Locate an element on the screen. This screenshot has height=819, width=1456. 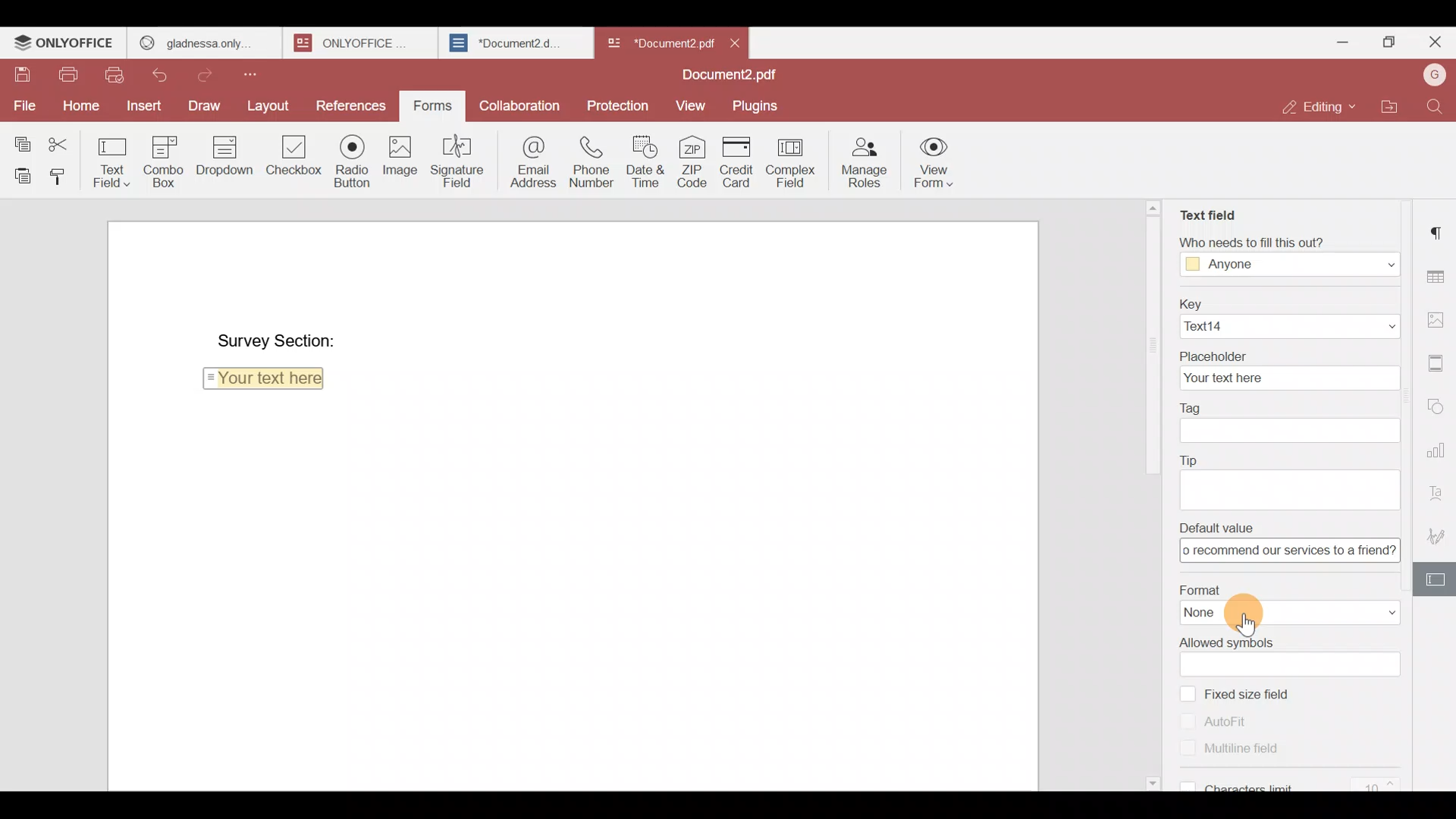
Paste is located at coordinates (18, 173).